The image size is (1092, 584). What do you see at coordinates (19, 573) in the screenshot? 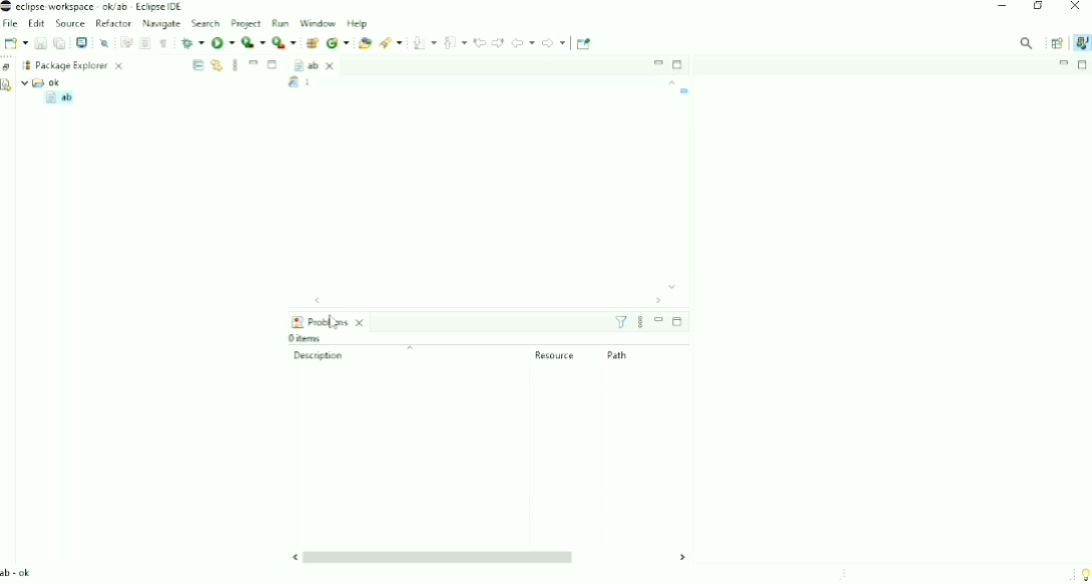
I see `ab - ok` at bounding box center [19, 573].